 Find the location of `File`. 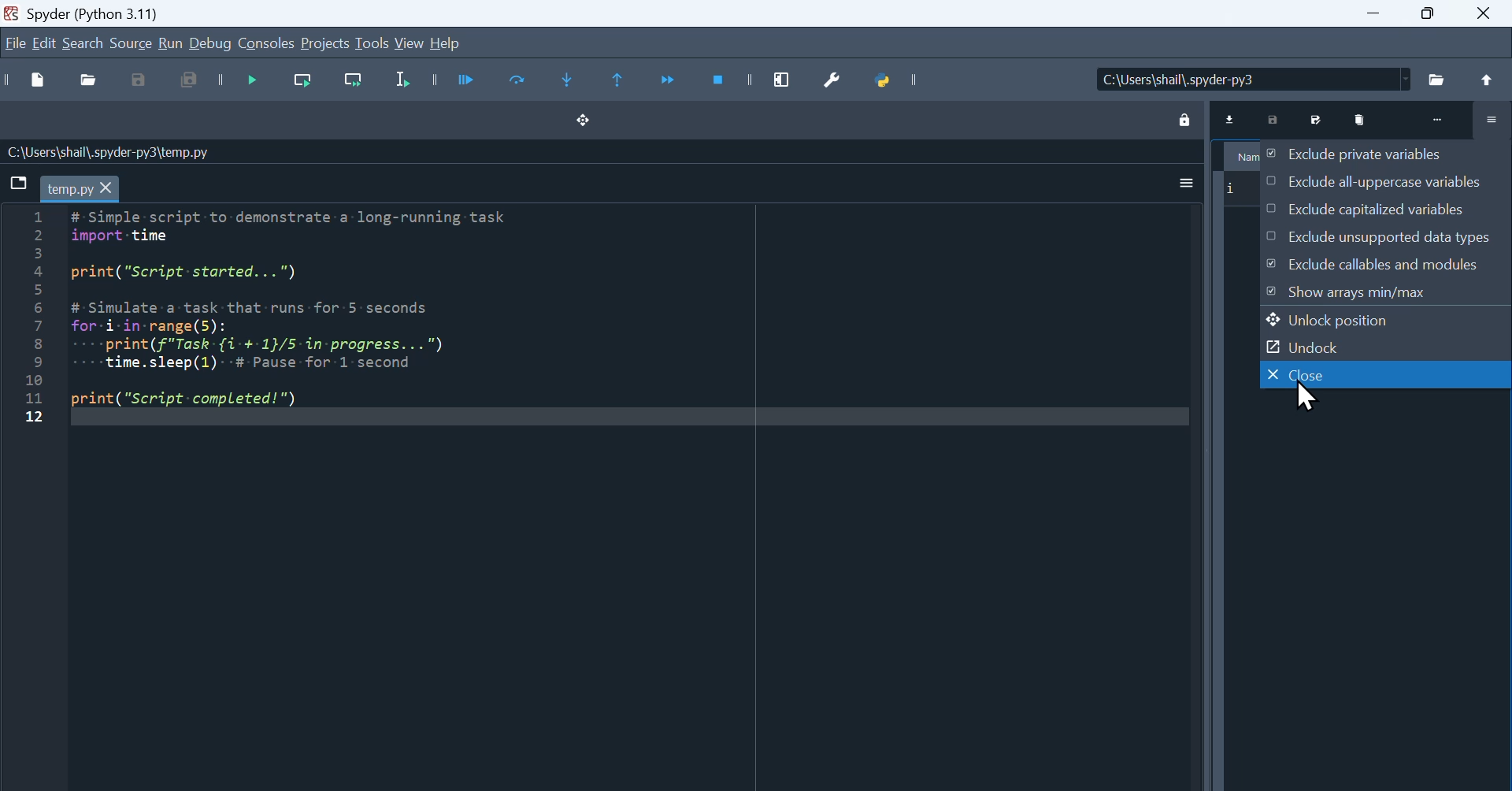

File is located at coordinates (15, 42).